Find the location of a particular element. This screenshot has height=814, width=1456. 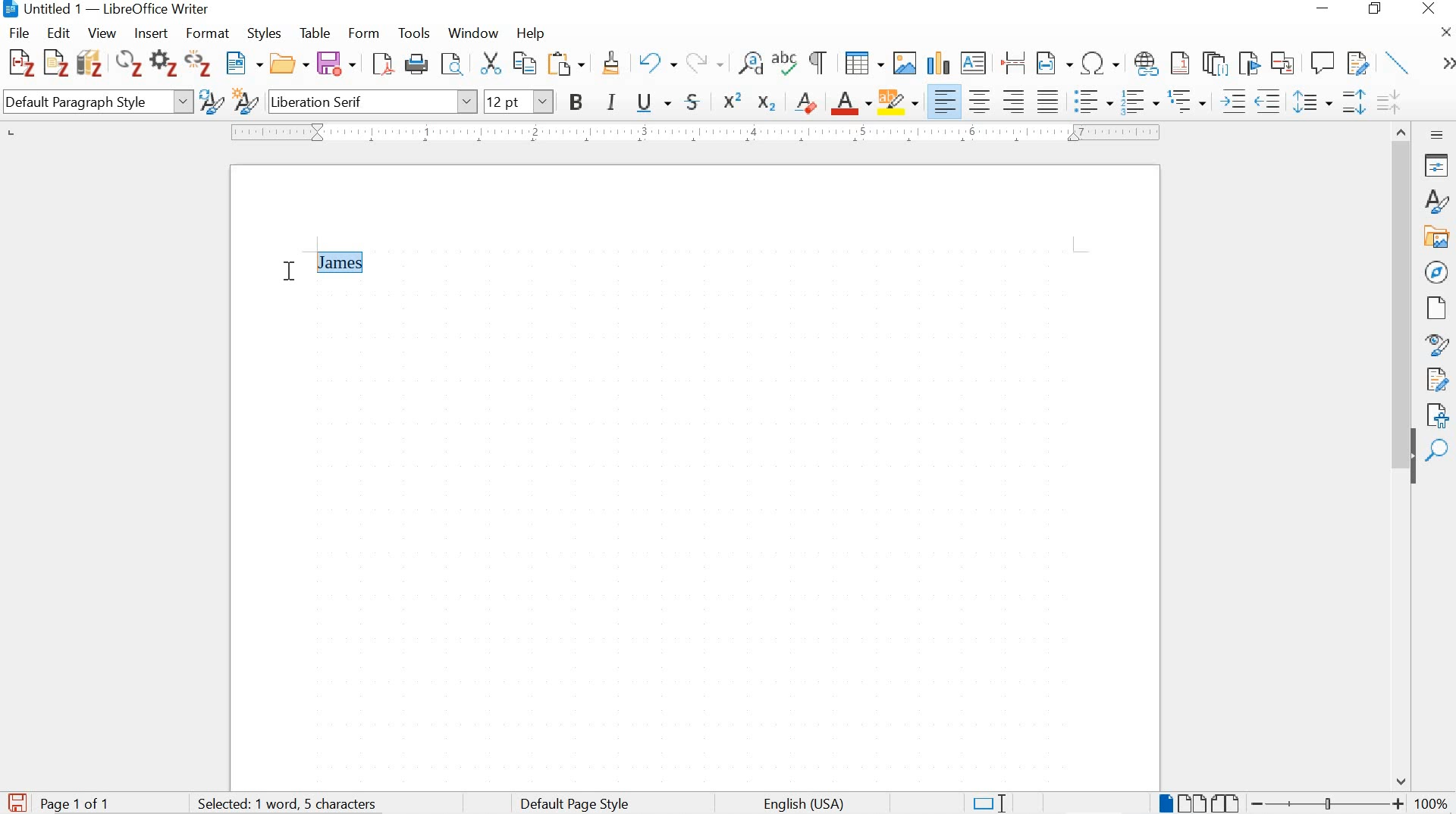

insert footnote is located at coordinates (1147, 64).